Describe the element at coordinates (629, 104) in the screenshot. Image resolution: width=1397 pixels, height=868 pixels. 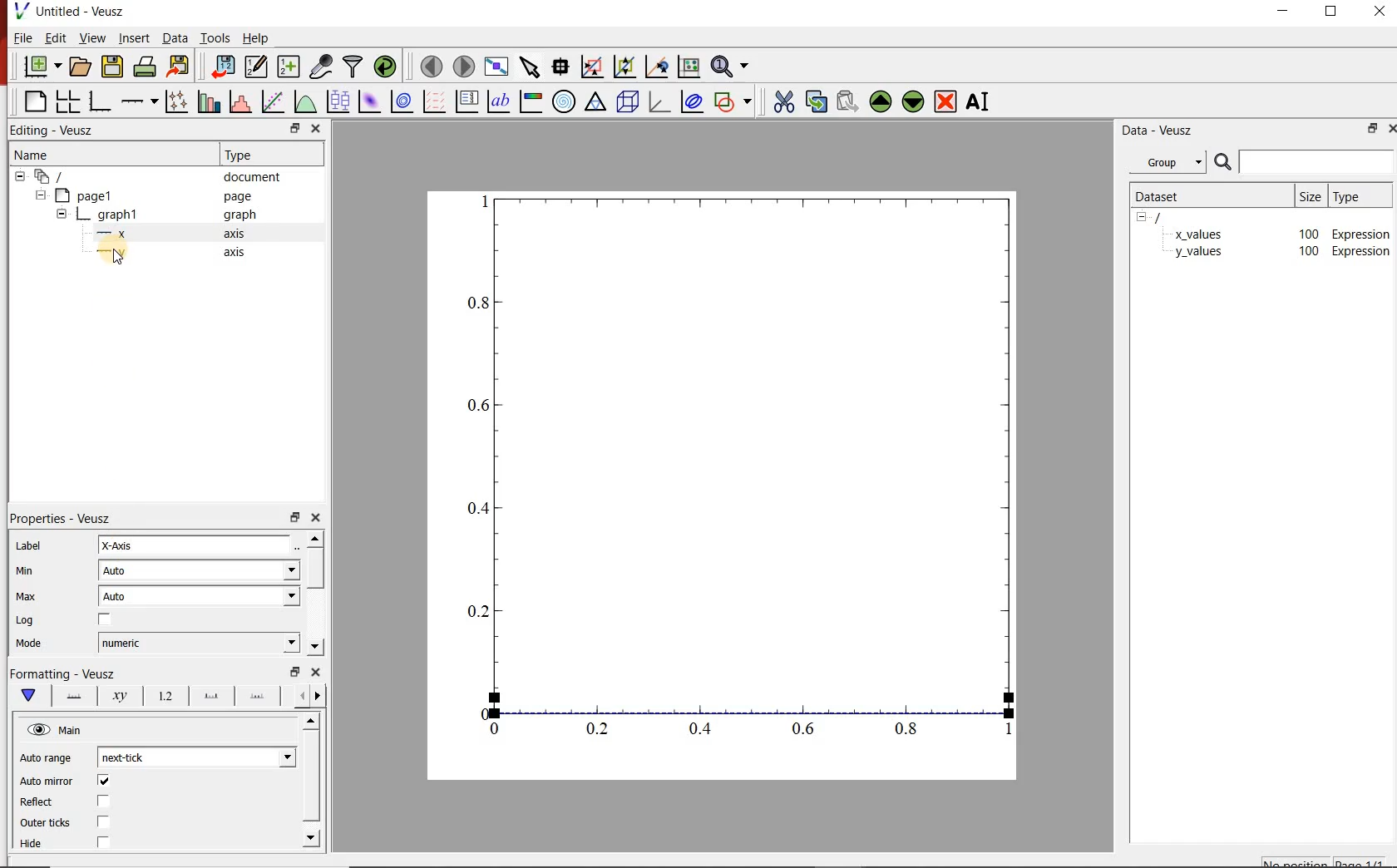
I see `3d scene` at that location.